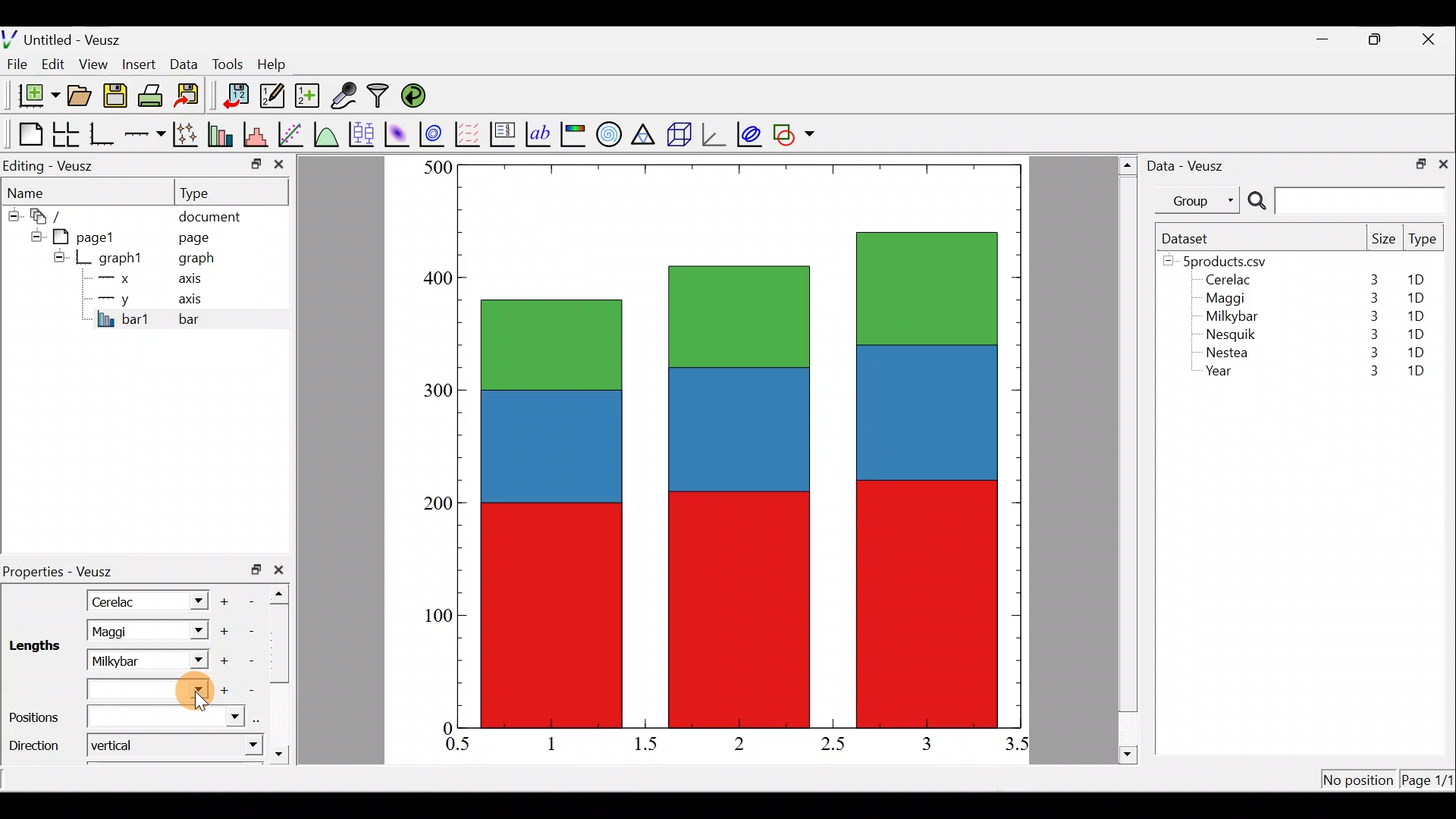 The image size is (1456, 819). I want to click on 300, so click(433, 388).